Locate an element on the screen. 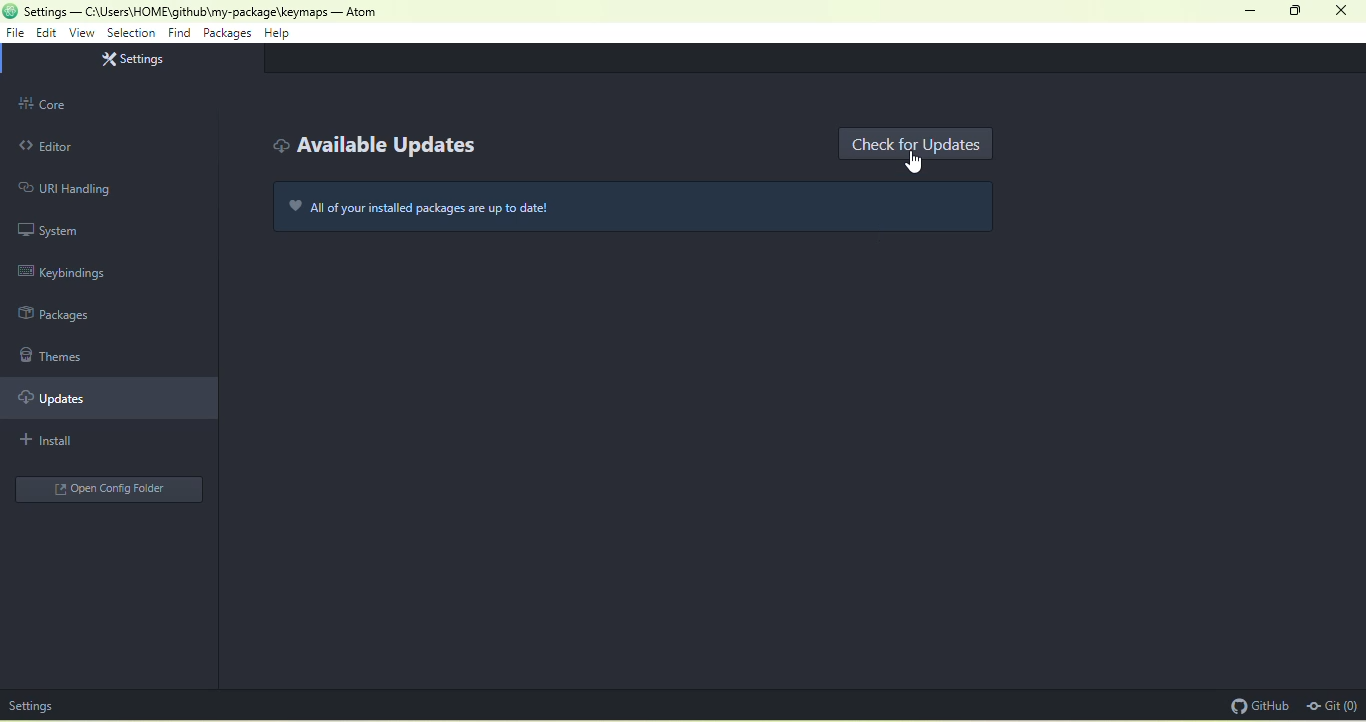 The image size is (1366, 722). github is located at coordinates (1257, 706).